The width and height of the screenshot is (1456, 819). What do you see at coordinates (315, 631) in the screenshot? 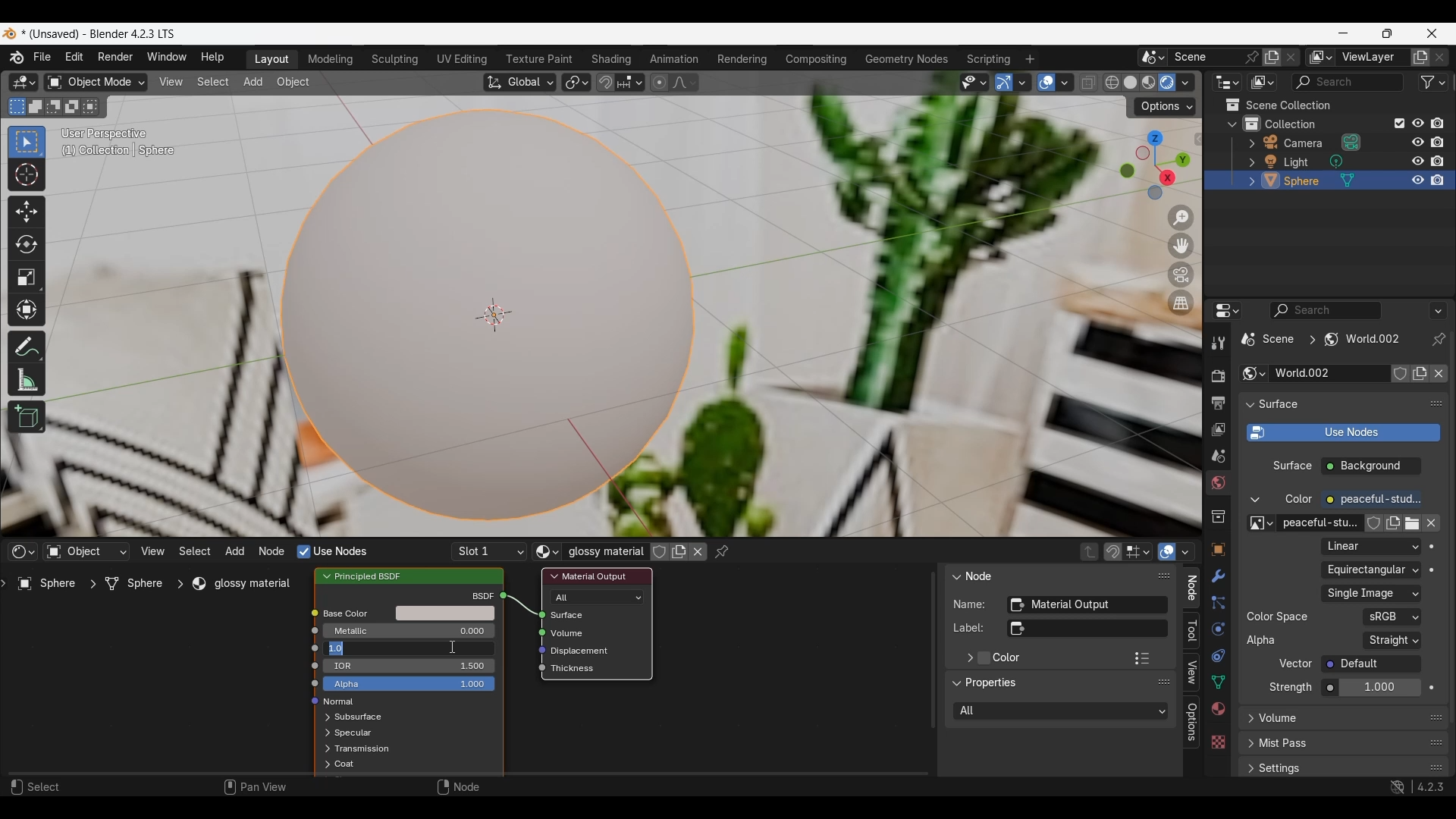
I see `icon` at bounding box center [315, 631].